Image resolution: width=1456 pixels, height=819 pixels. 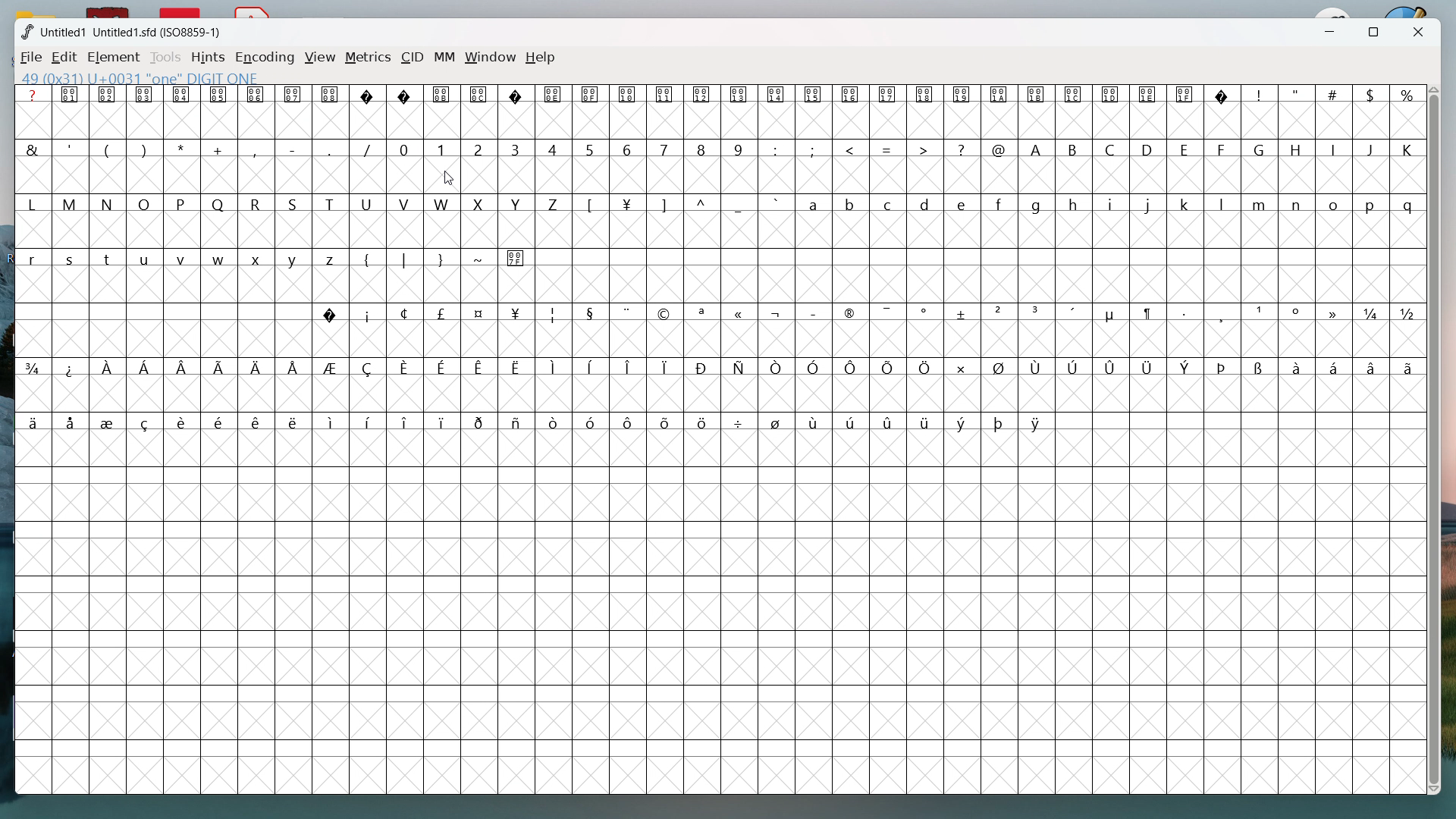 I want to click on symbol, so click(x=554, y=313).